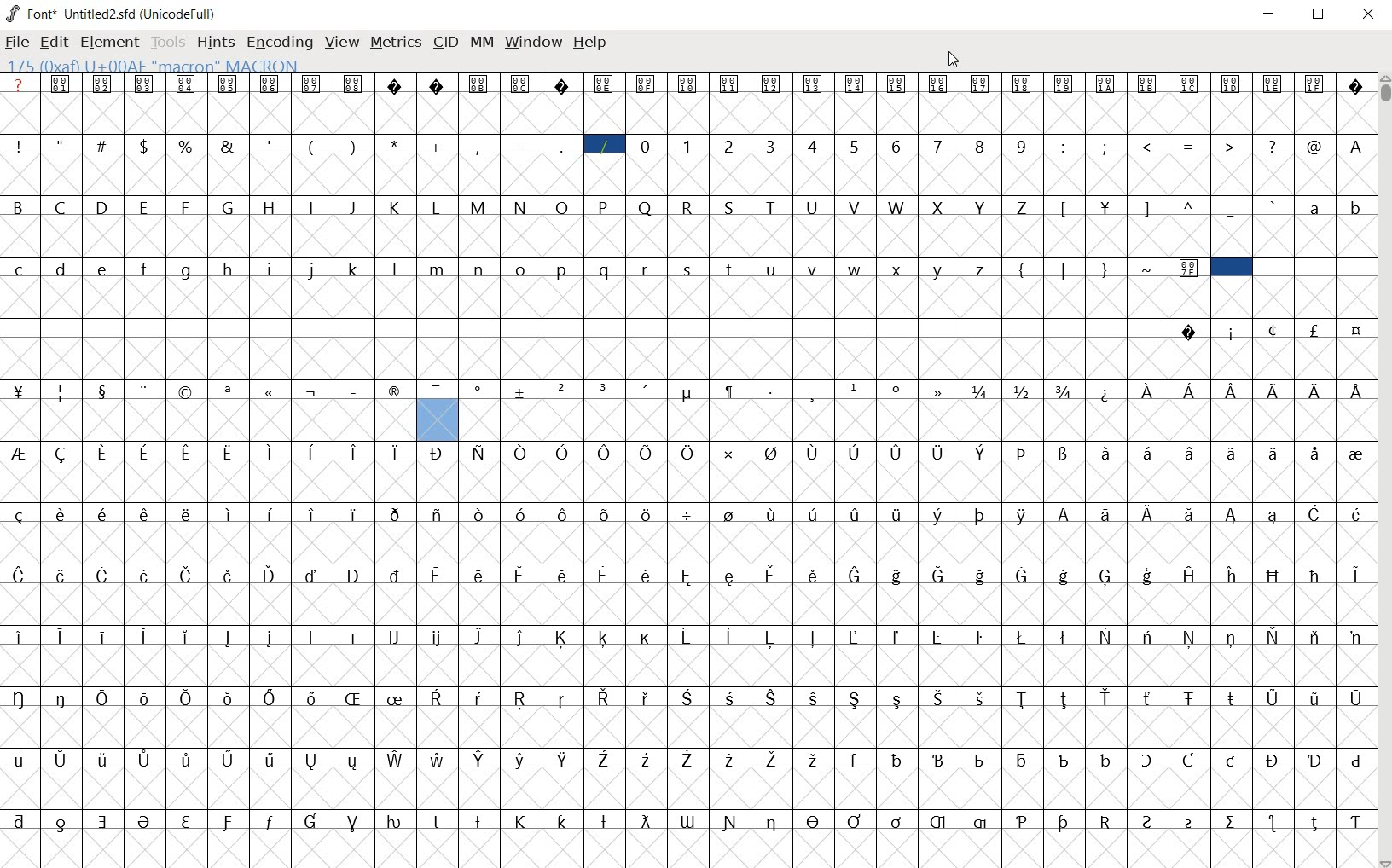 The height and width of the screenshot is (868, 1392). I want to click on Symbol, so click(938, 515).